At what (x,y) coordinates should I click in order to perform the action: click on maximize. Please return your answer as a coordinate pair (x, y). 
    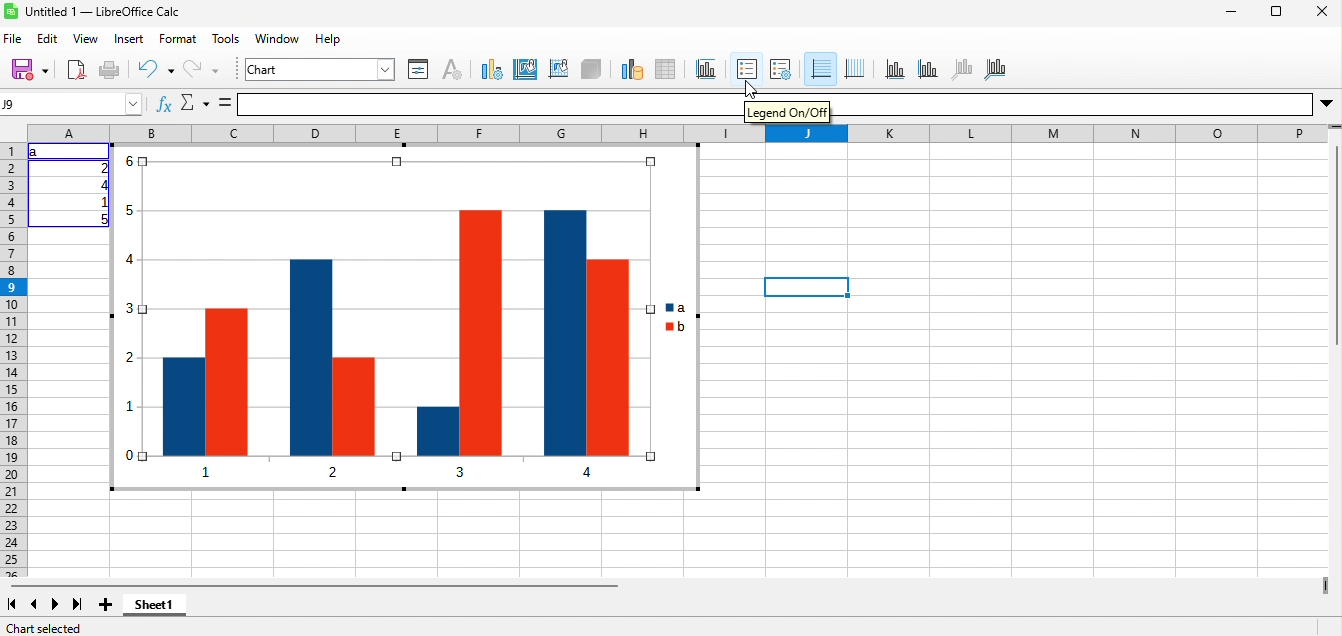
    Looking at the image, I should click on (1276, 11).